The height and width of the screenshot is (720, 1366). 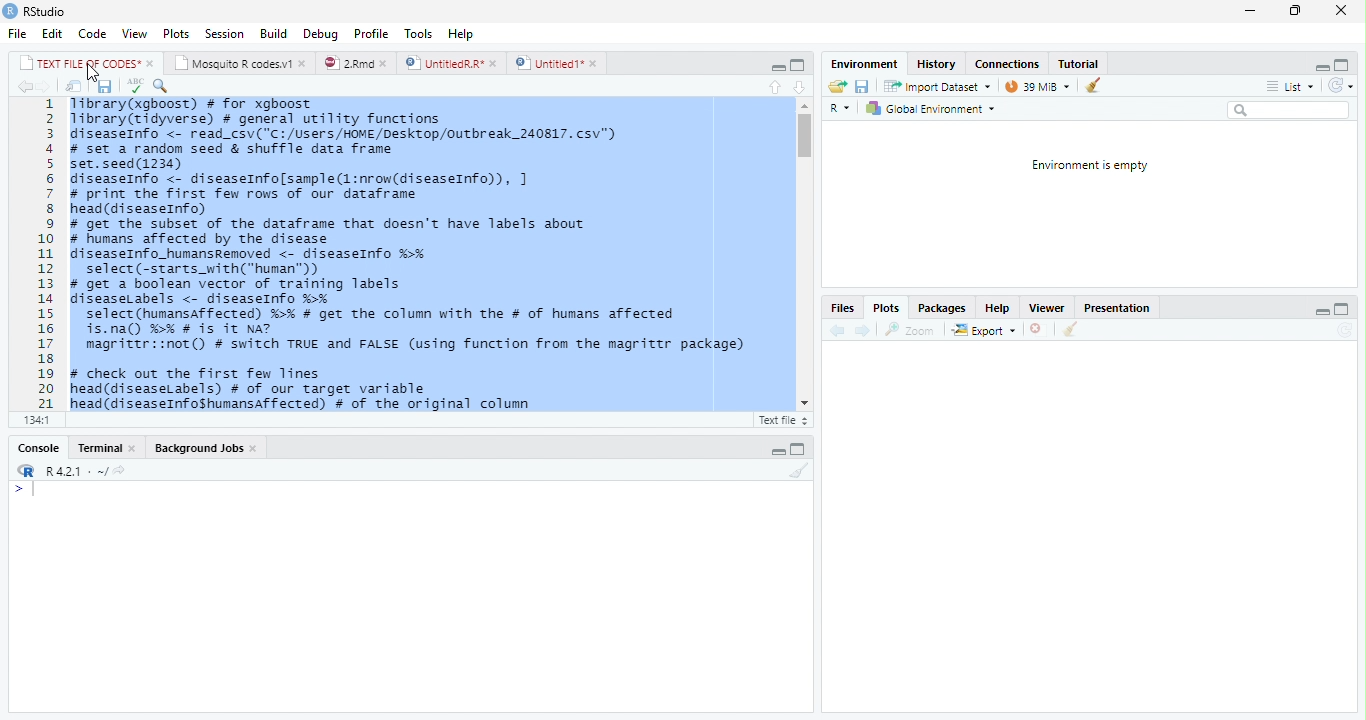 What do you see at coordinates (936, 85) in the screenshot?
I see `Import dataset` at bounding box center [936, 85].